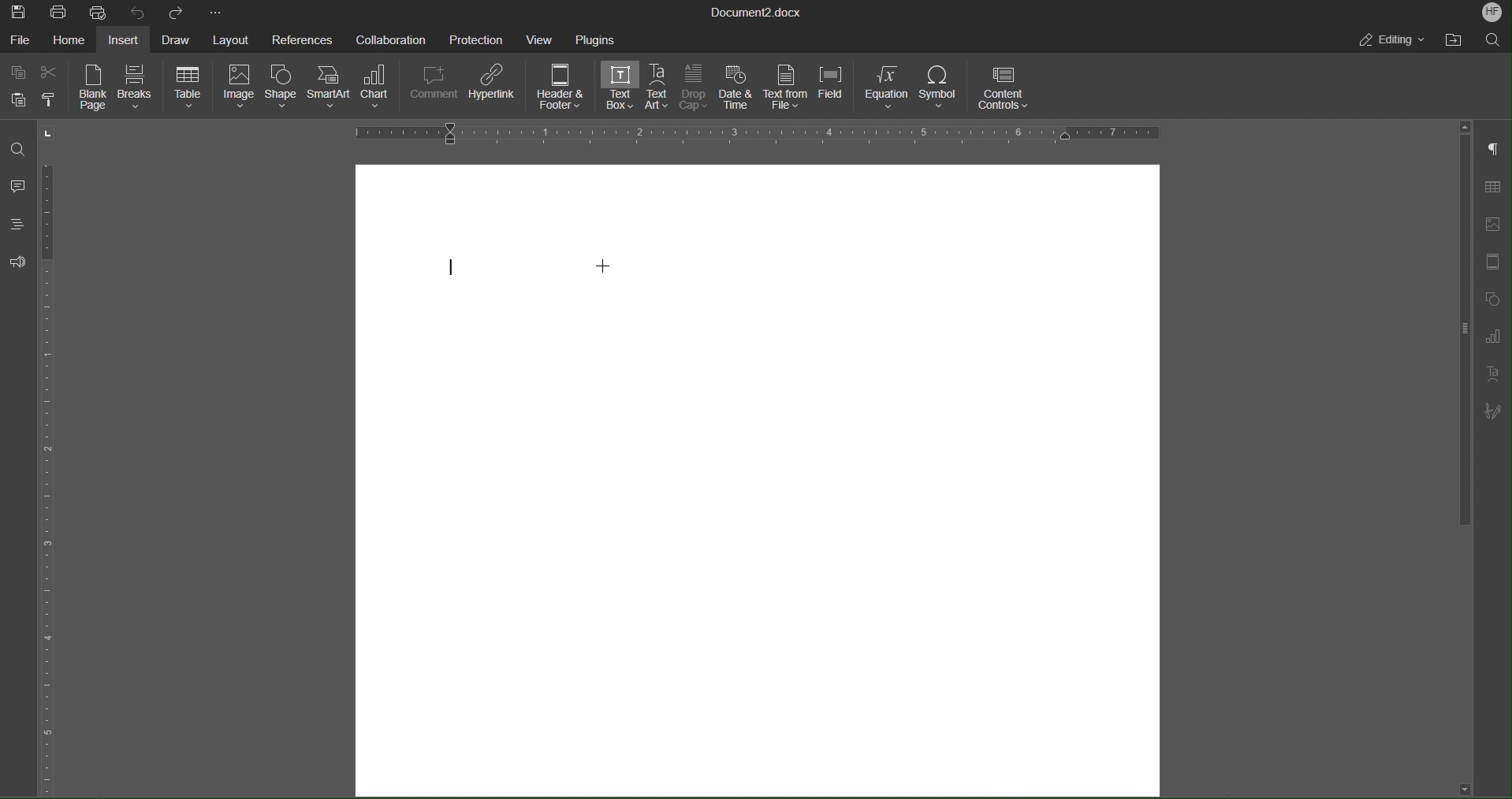  Describe the element at coordinates (1492, 336) in the screenshot. I see `Graph` at that location.